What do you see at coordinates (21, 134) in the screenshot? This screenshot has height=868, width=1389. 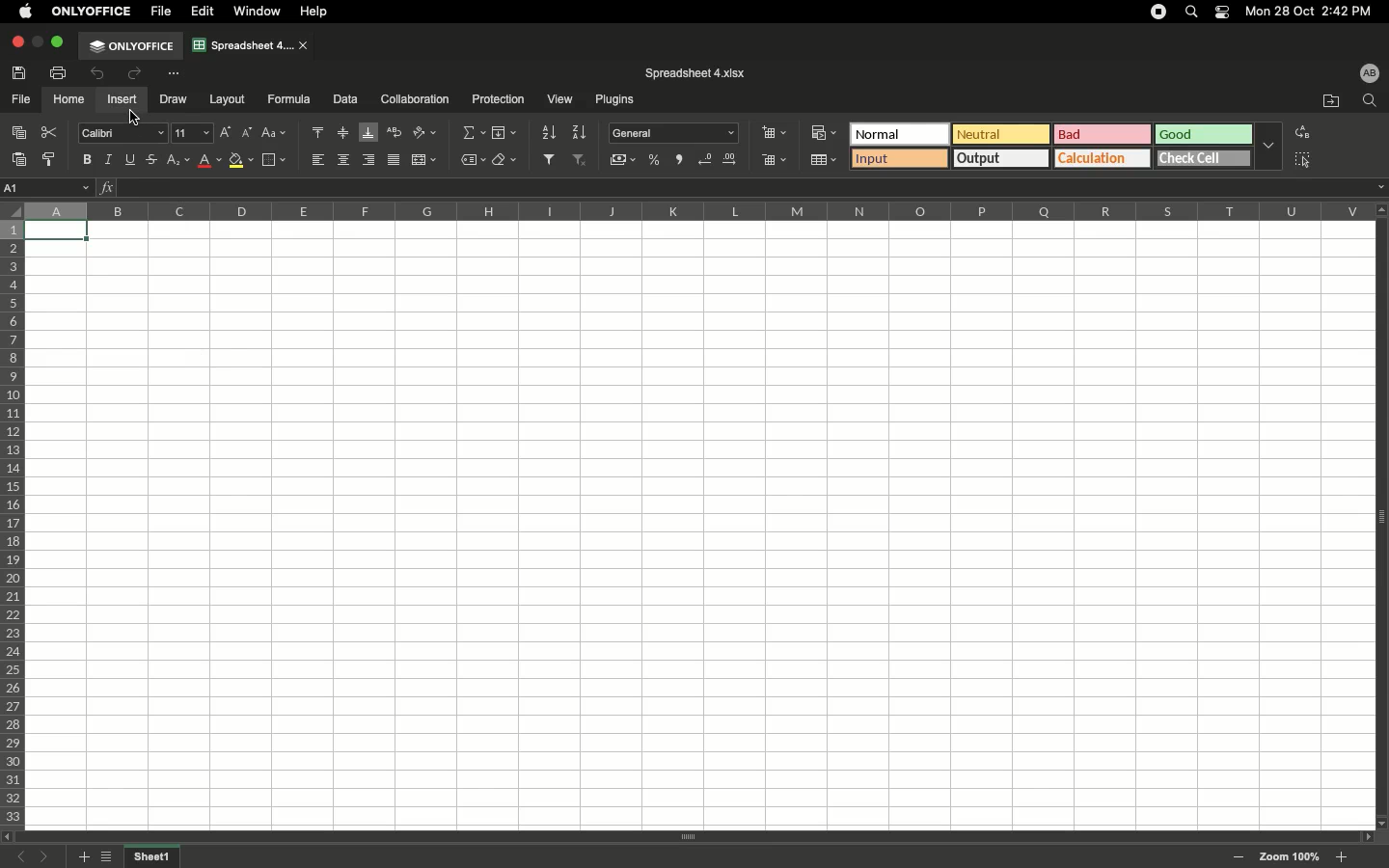 I see `Copy` at bounding box center [21, 134].